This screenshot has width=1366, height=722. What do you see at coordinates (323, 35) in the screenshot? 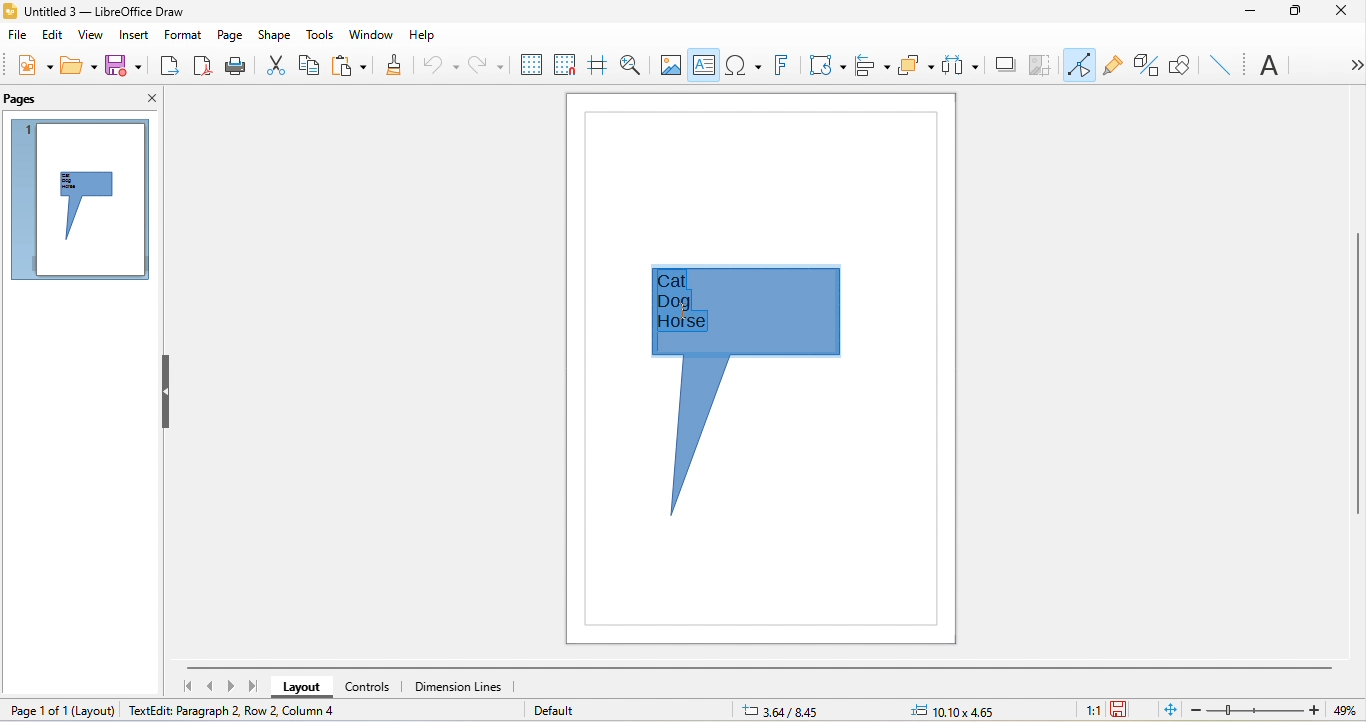
I see `tools` at bounding box center [323, 35].